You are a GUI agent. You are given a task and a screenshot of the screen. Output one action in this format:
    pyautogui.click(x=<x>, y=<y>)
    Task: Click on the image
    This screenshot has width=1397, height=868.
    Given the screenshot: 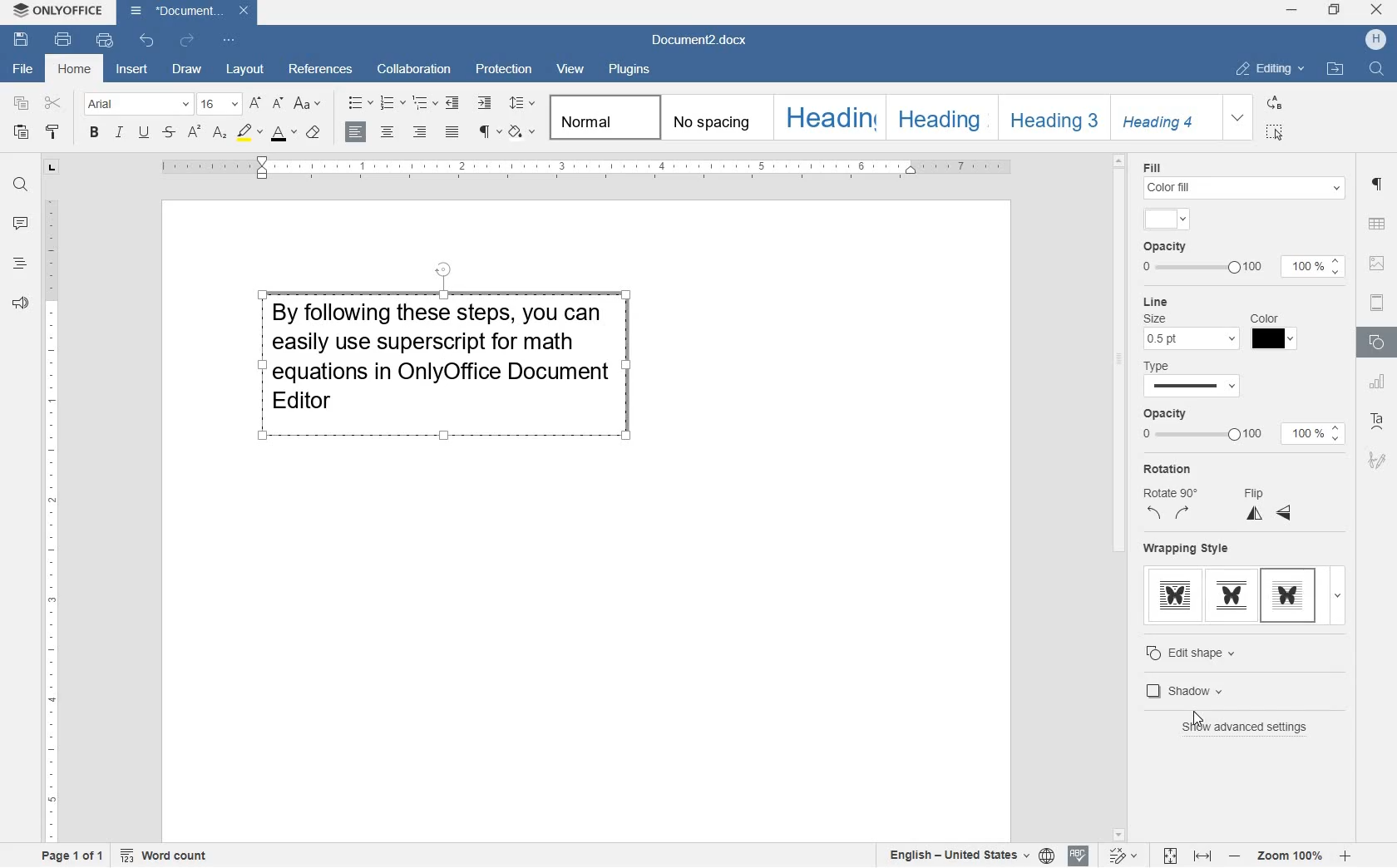 What is the action you would take?
    pyautogui.click(x=1379, y=265)
    